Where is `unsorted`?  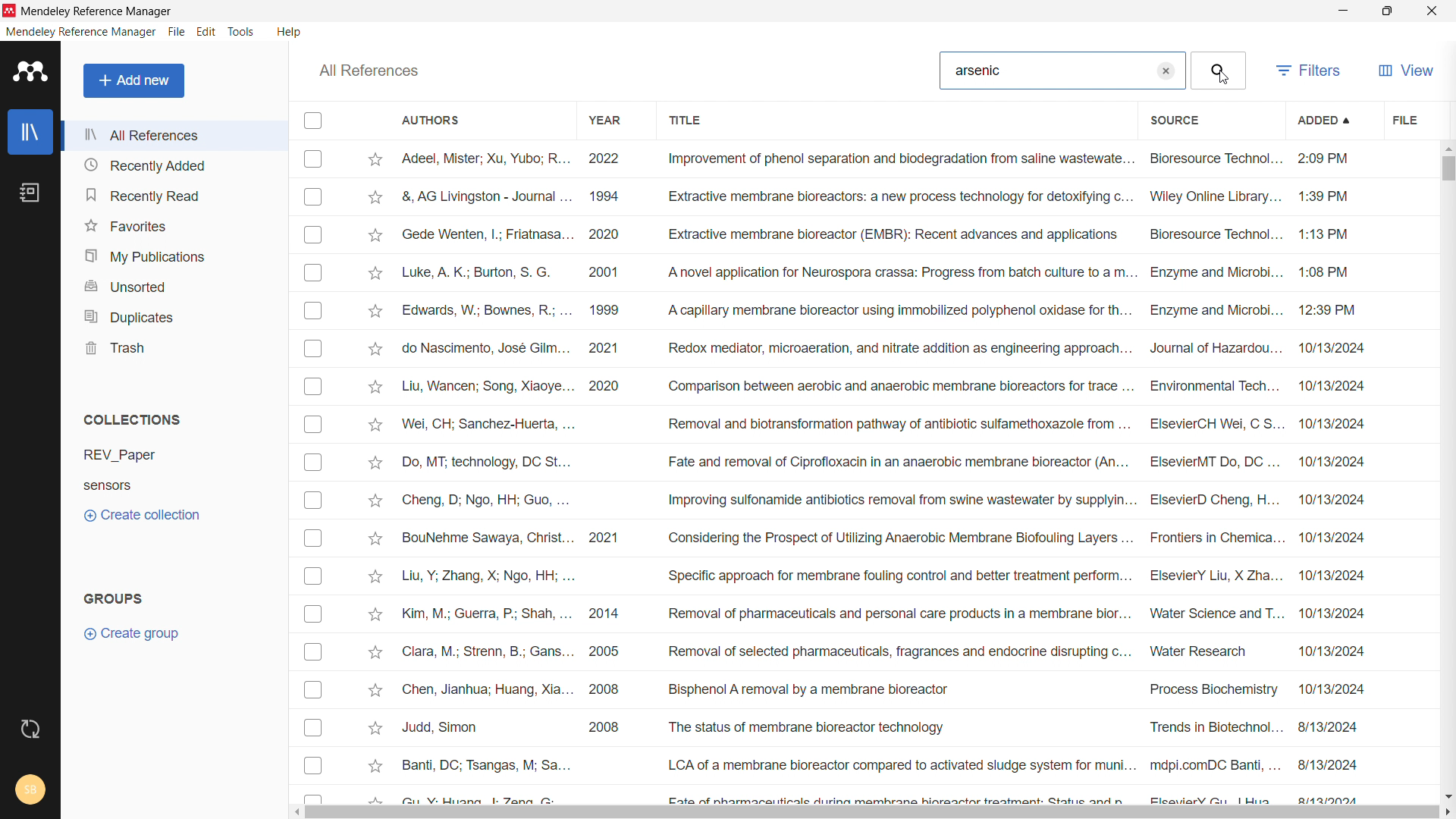
unsorted is located at coordinates (174, 284).